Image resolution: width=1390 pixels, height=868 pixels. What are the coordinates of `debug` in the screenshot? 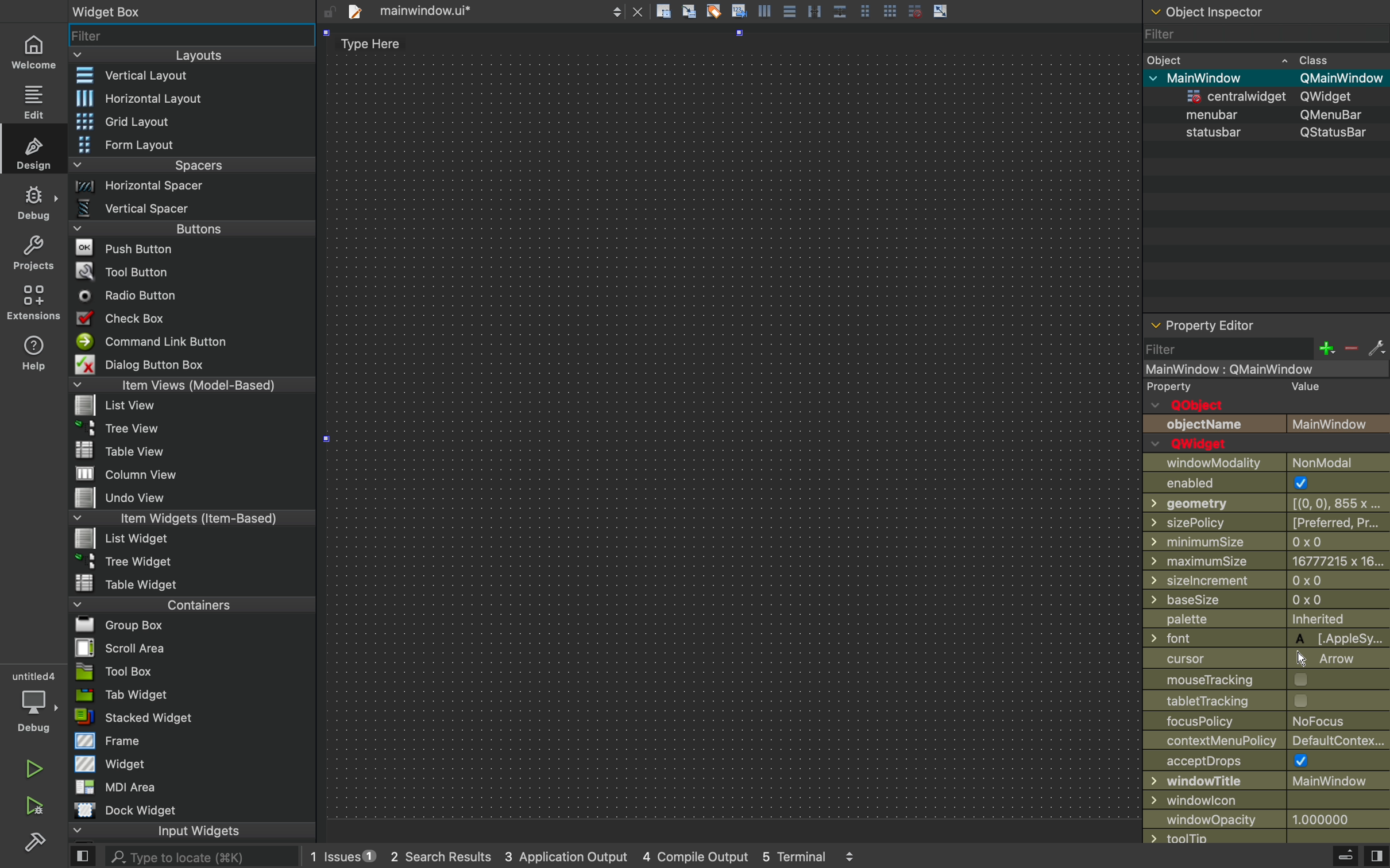 It's located at (34, 702).